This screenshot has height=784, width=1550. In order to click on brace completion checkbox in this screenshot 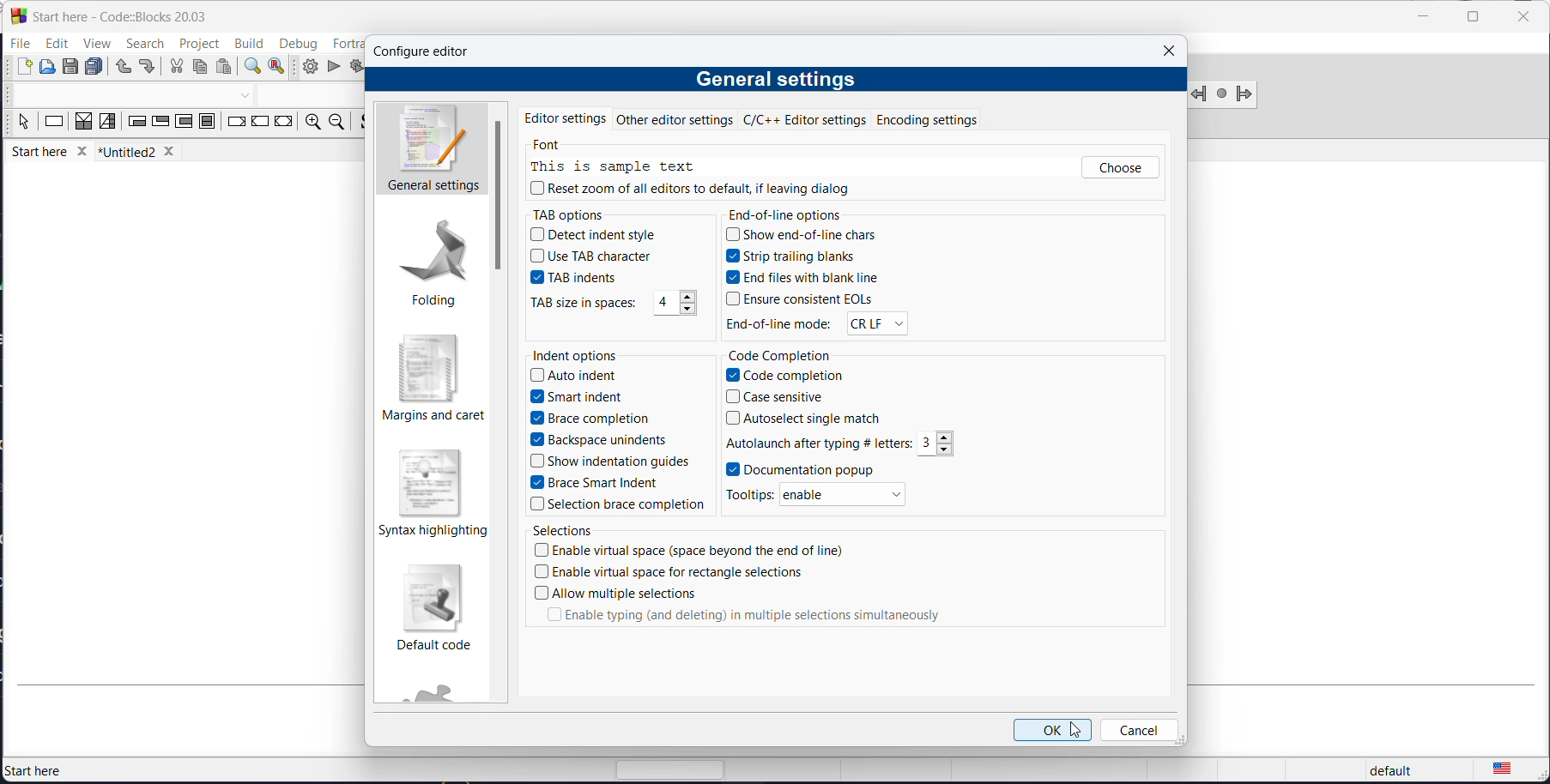, I will do `click(590, 419)`.